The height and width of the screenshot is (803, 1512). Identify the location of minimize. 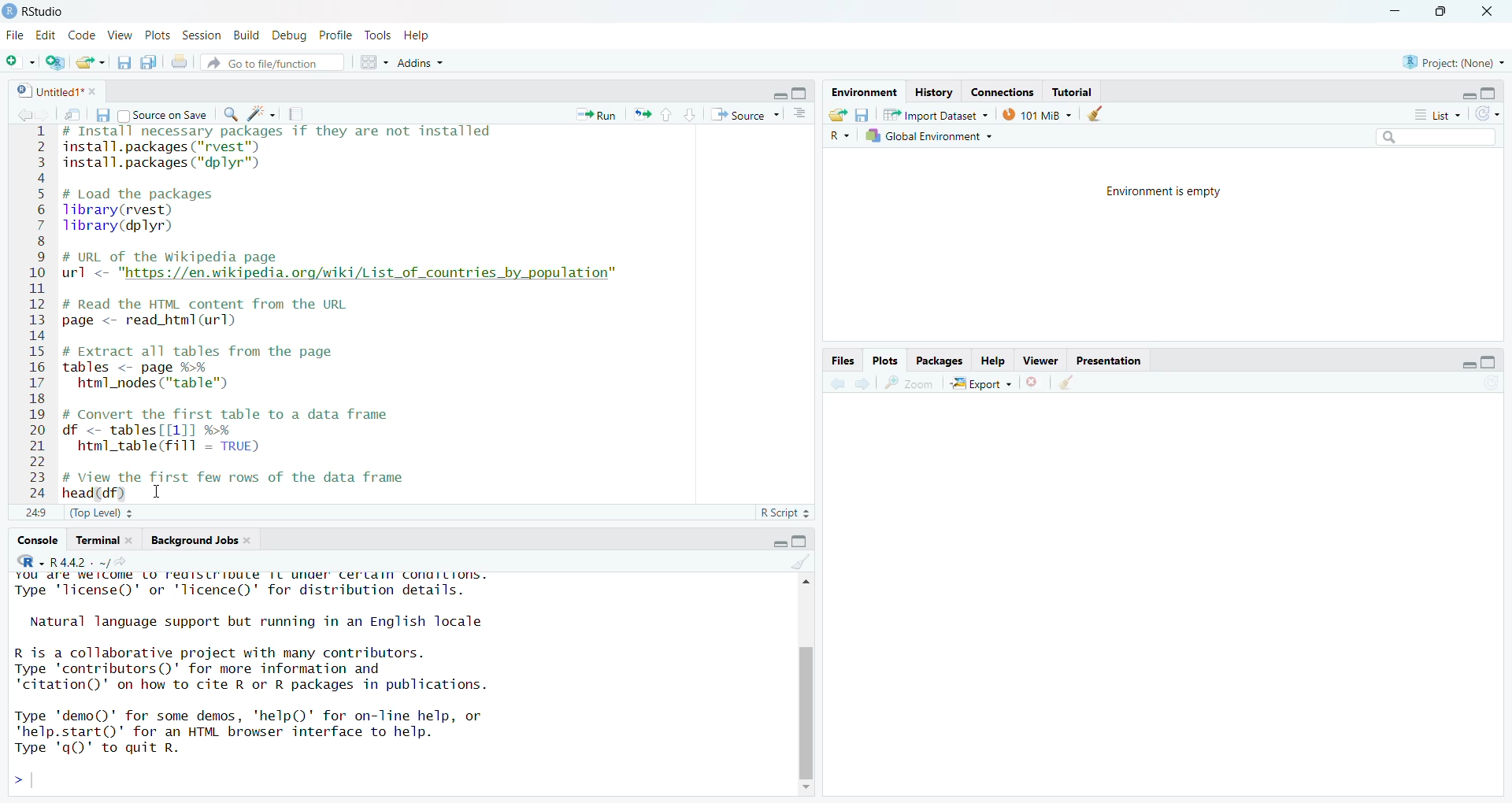
(779, 542).